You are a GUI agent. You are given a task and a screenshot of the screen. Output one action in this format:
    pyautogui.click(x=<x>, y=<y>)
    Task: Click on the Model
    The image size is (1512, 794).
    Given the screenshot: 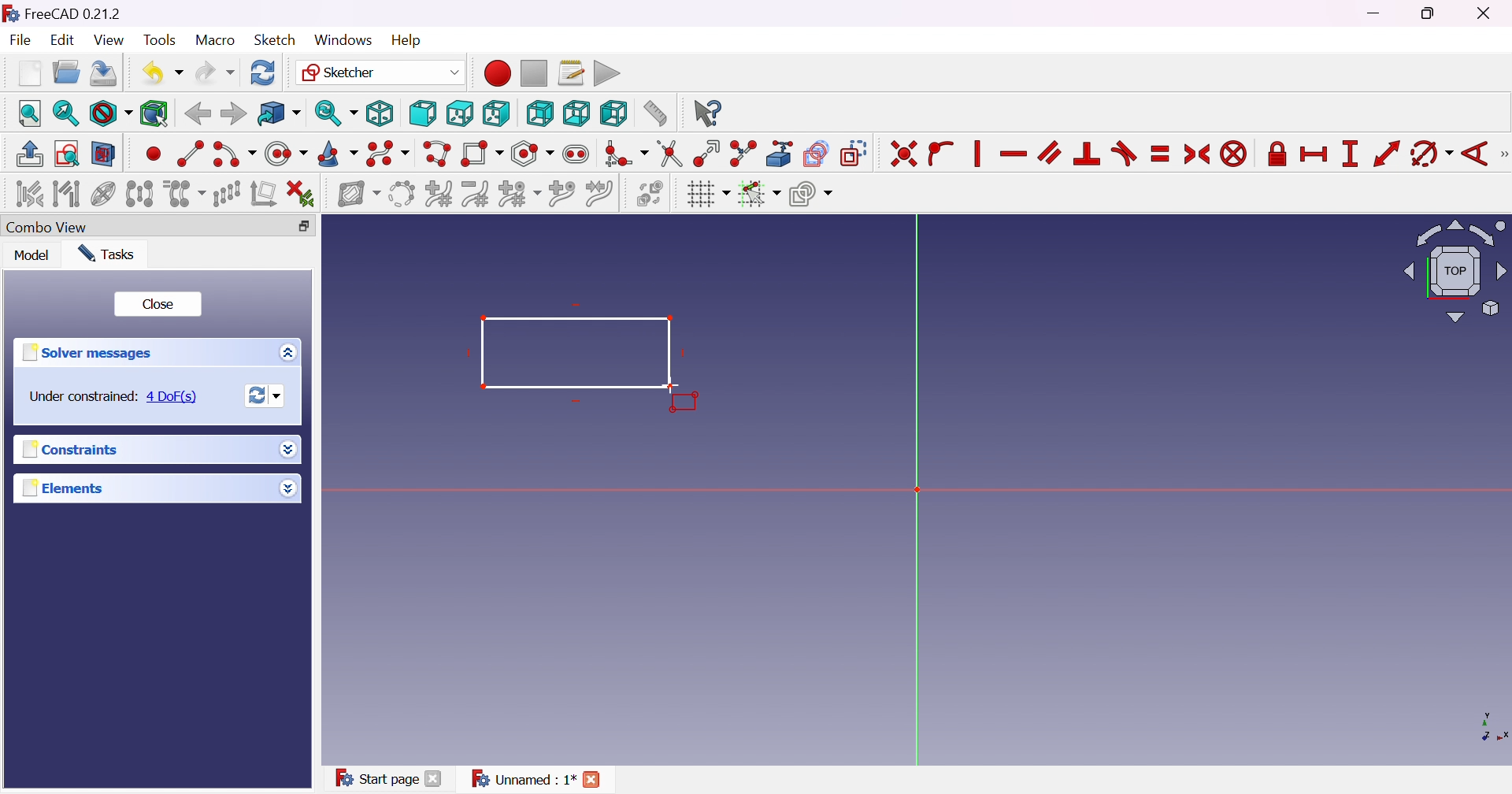 What is the action you would take?
    pyautogui.click(x=33, y=255)
    